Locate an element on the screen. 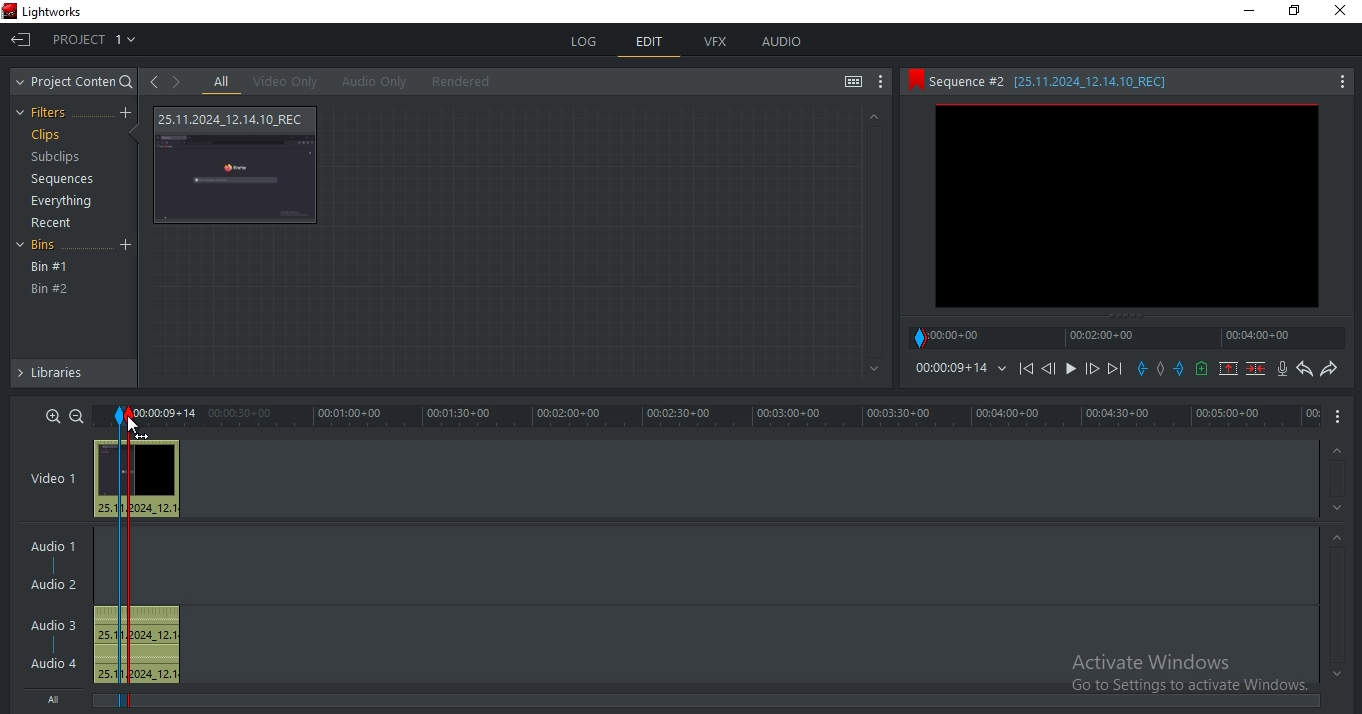 The height and width of the screenshot is (714, 1362). redo is located at coordinates (1329, 370).